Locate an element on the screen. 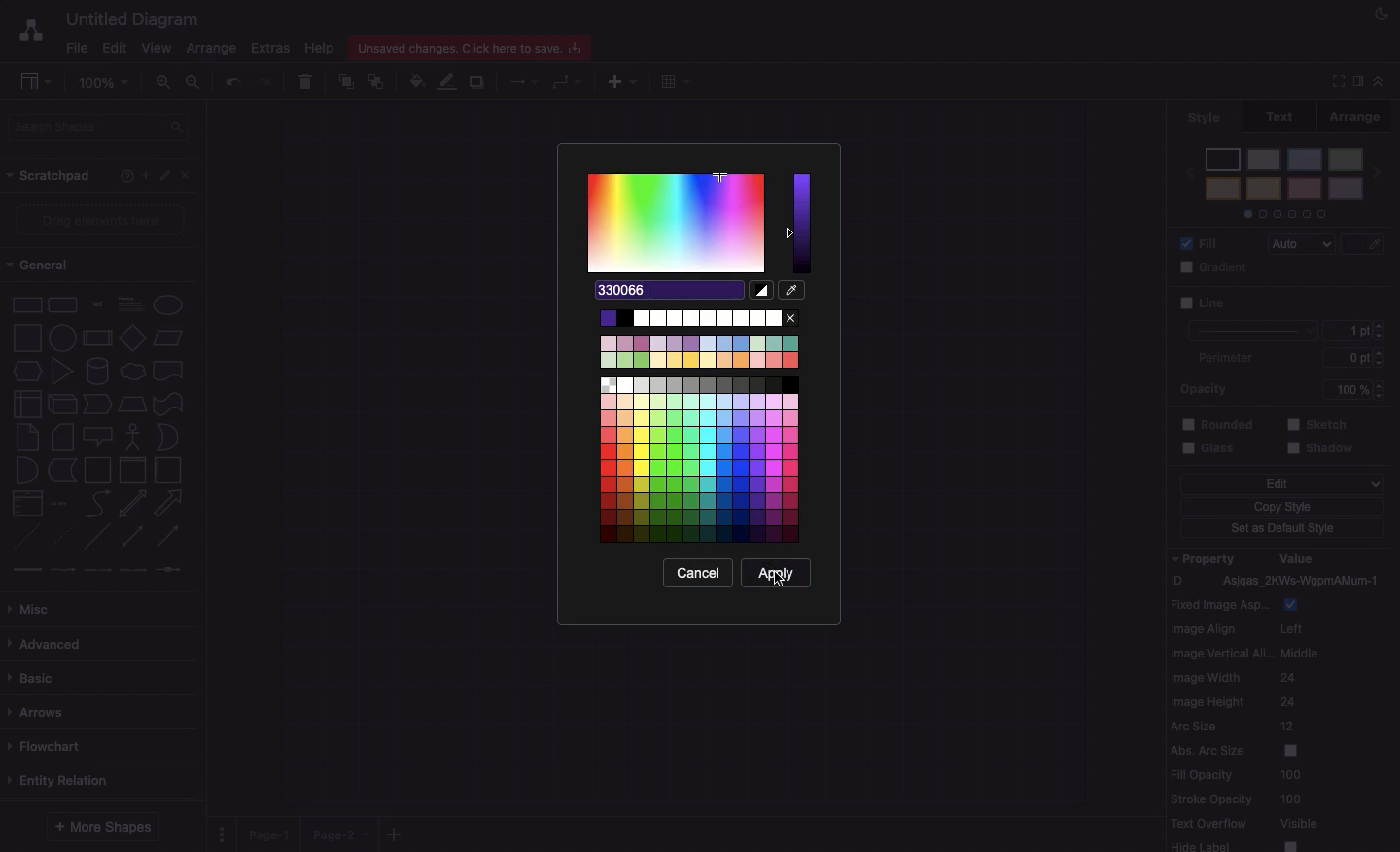  Table is located at coordinates (673, 81).